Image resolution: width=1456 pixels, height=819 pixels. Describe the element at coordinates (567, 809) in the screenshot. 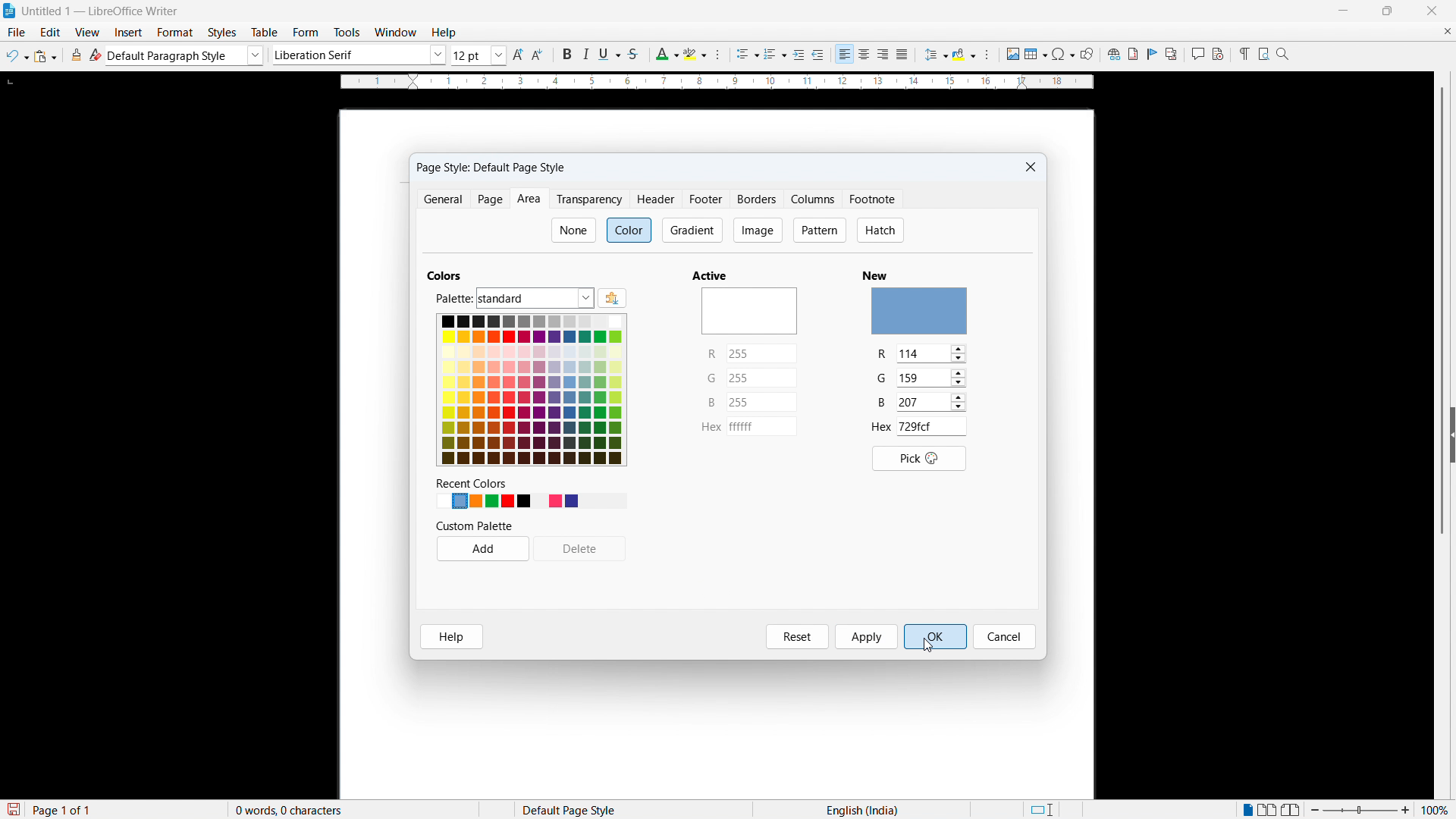

I see `Default page style ` at that location.